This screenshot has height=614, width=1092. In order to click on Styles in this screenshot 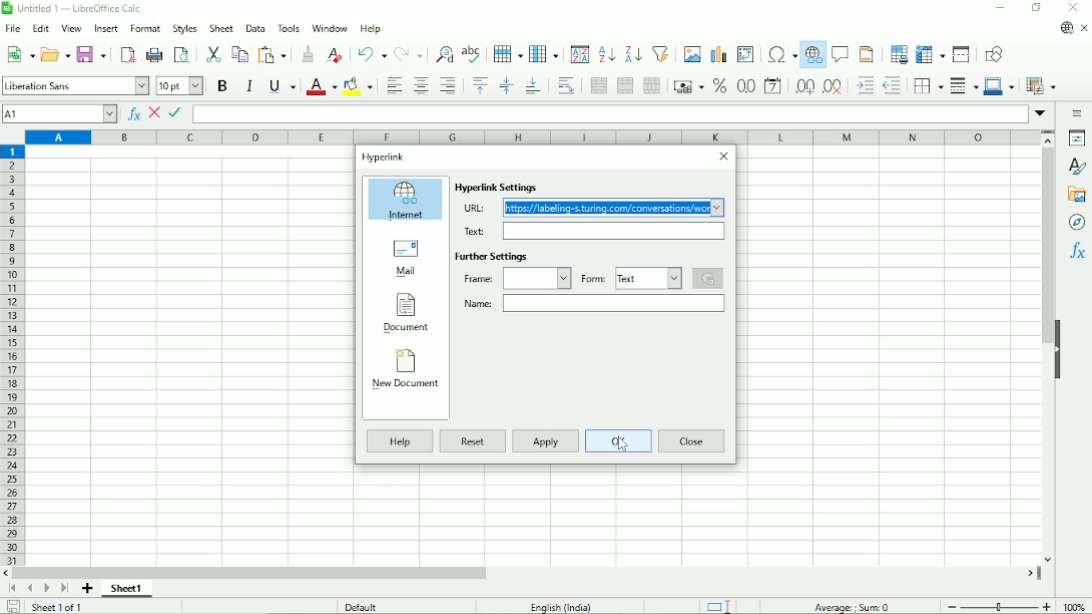, I will do `click(184, 29)`.